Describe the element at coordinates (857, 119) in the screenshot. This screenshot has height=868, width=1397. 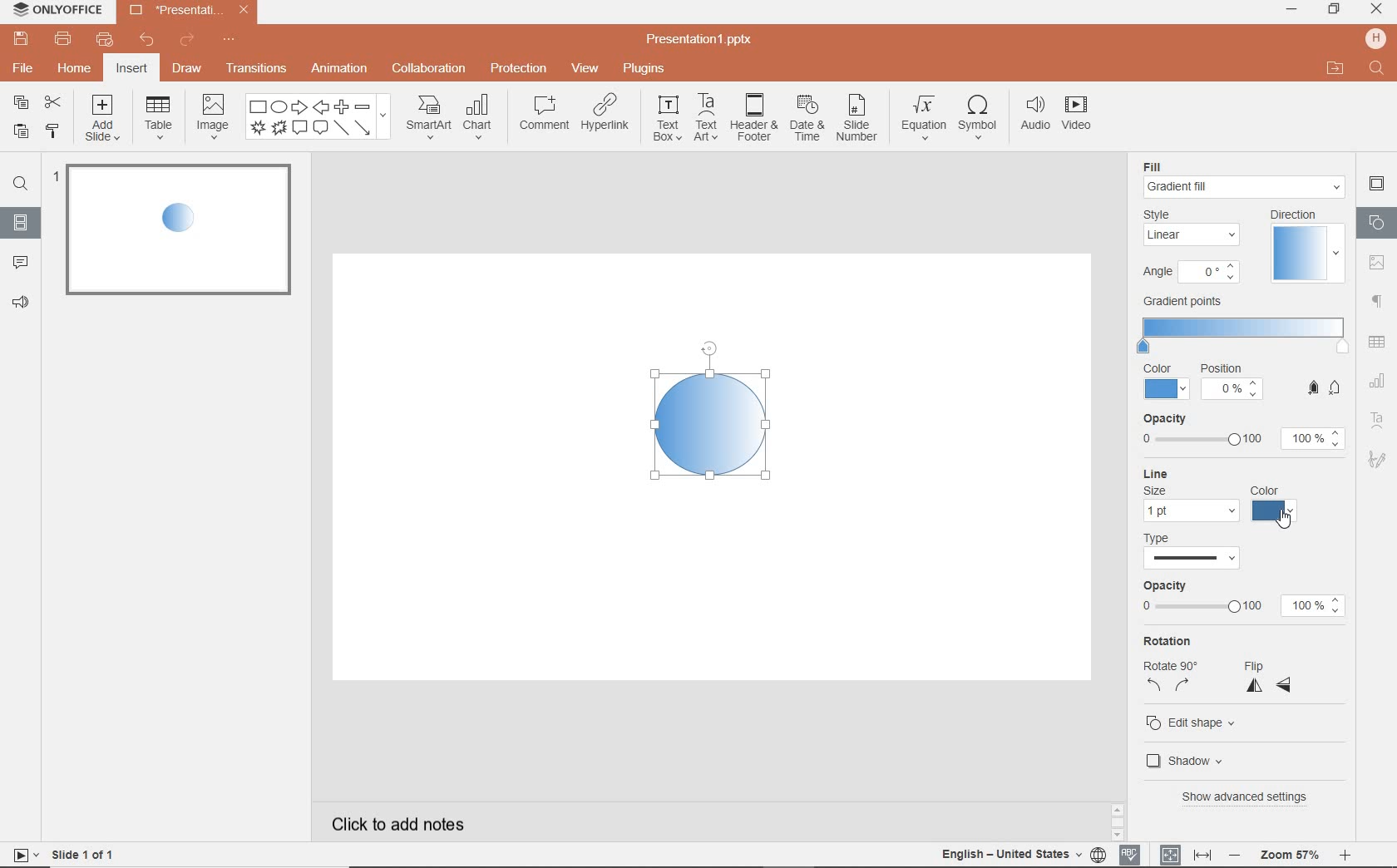
I see `slide number` at that location.